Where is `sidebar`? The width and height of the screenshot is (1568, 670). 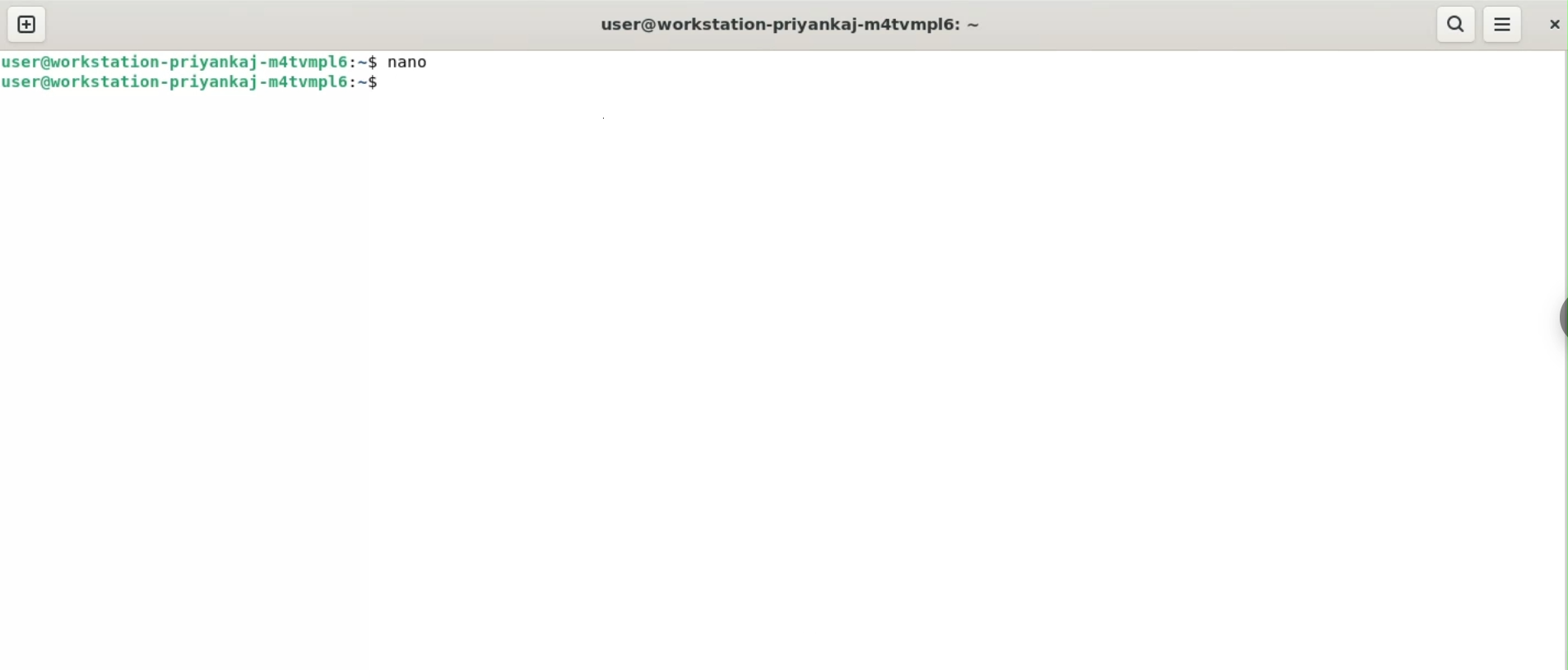 sidebar is located at coordinates (1556, 318).